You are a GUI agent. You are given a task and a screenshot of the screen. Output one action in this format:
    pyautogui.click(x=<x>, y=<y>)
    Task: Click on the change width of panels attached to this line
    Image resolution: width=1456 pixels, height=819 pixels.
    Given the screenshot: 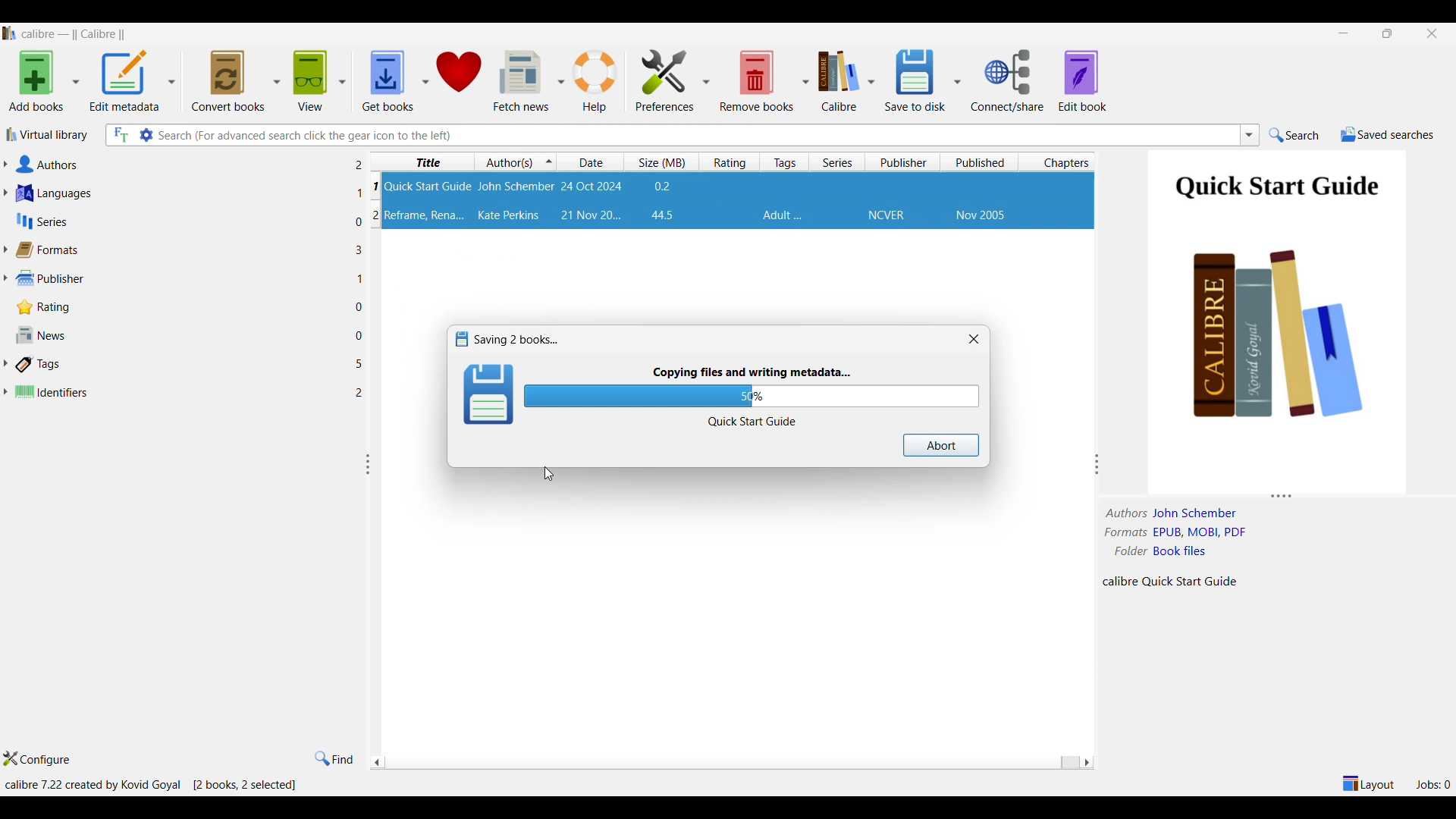 What is the action you would take?
    pyautogui.click(x=367, y=466)
    